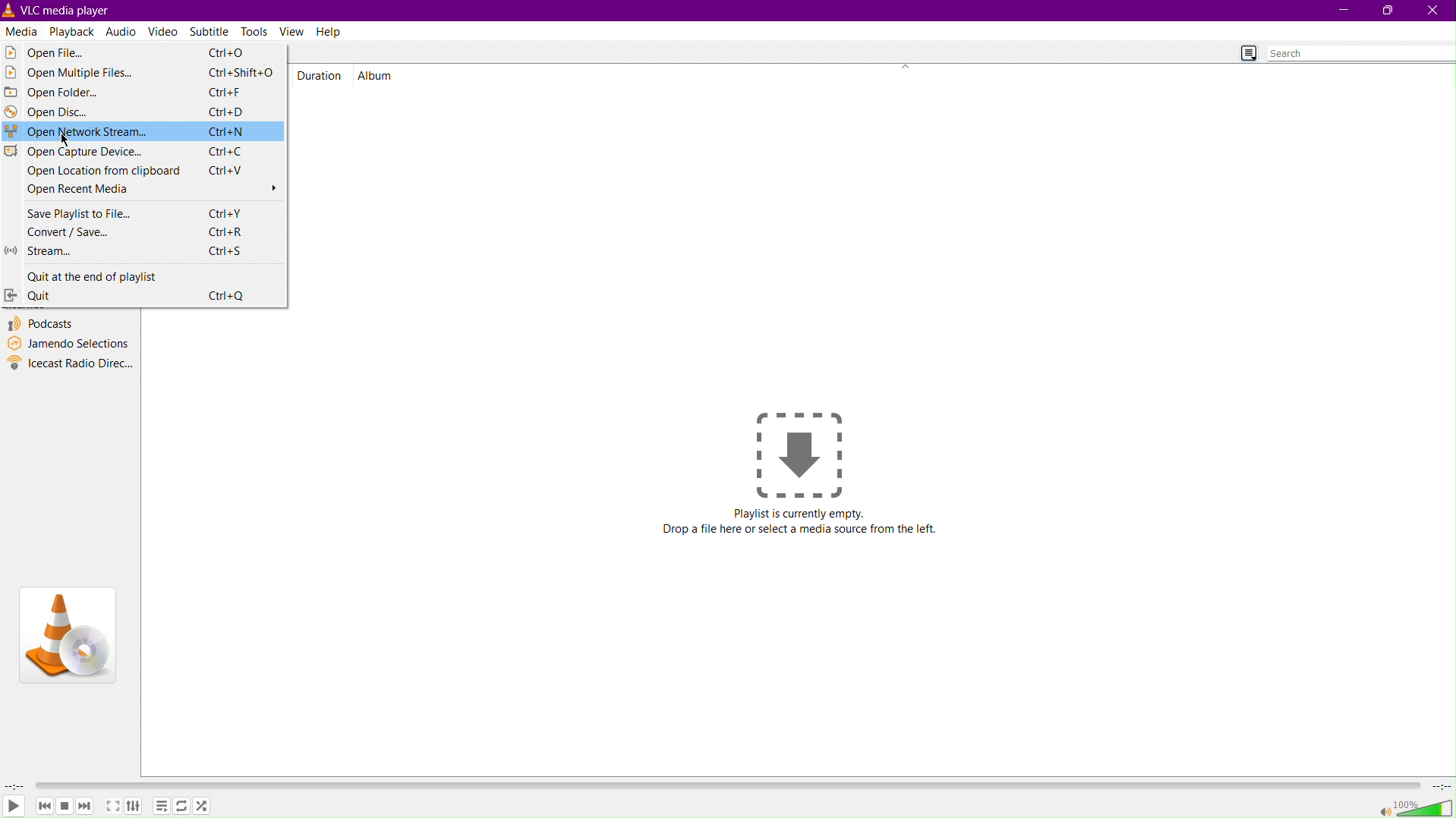  Describe the element at coordinates (1246, 52) in the screenshot. I see `Change playlist view` at that location.